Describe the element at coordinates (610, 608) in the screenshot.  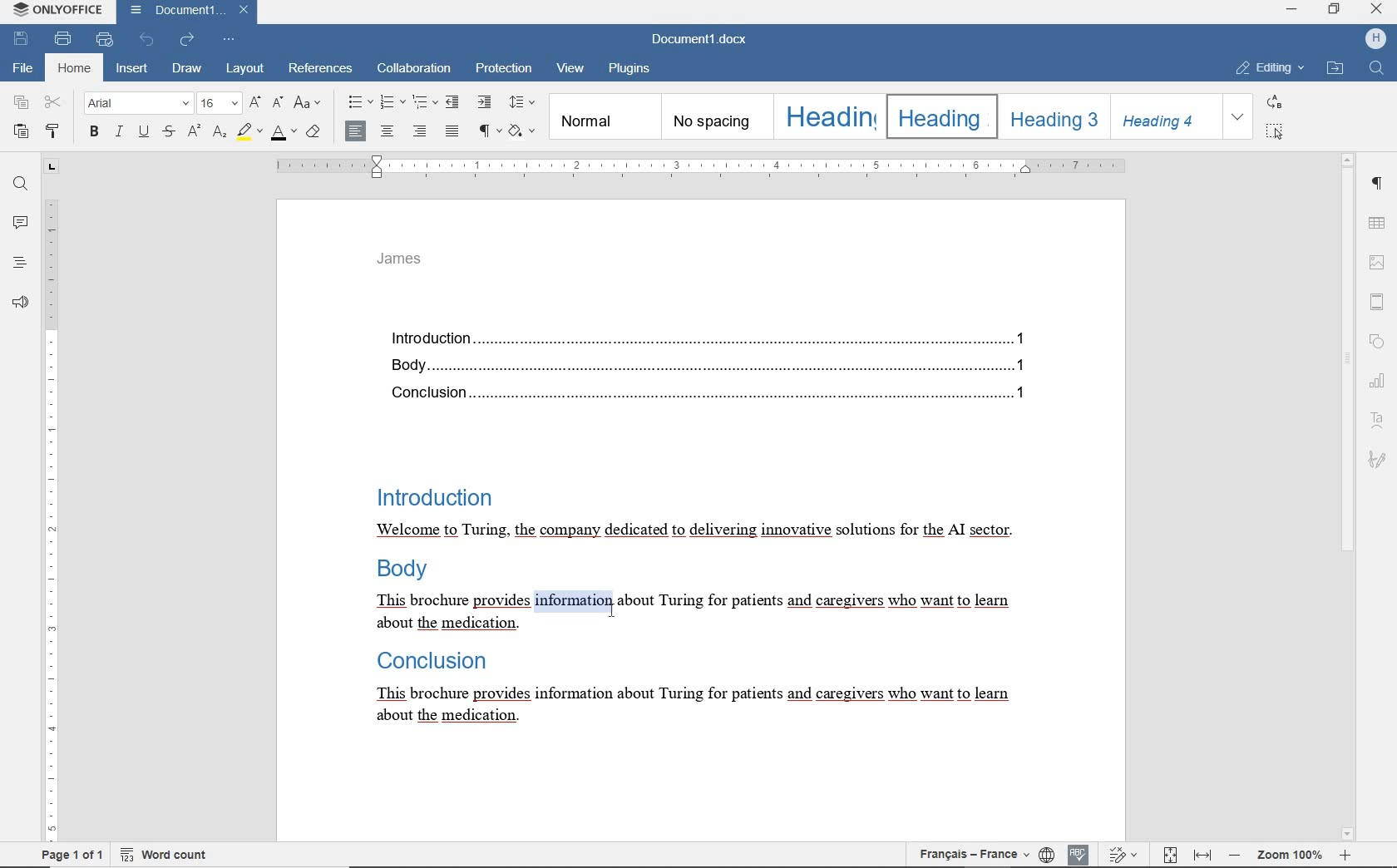
I see `CURSOR AFTER DRAG` at that location.